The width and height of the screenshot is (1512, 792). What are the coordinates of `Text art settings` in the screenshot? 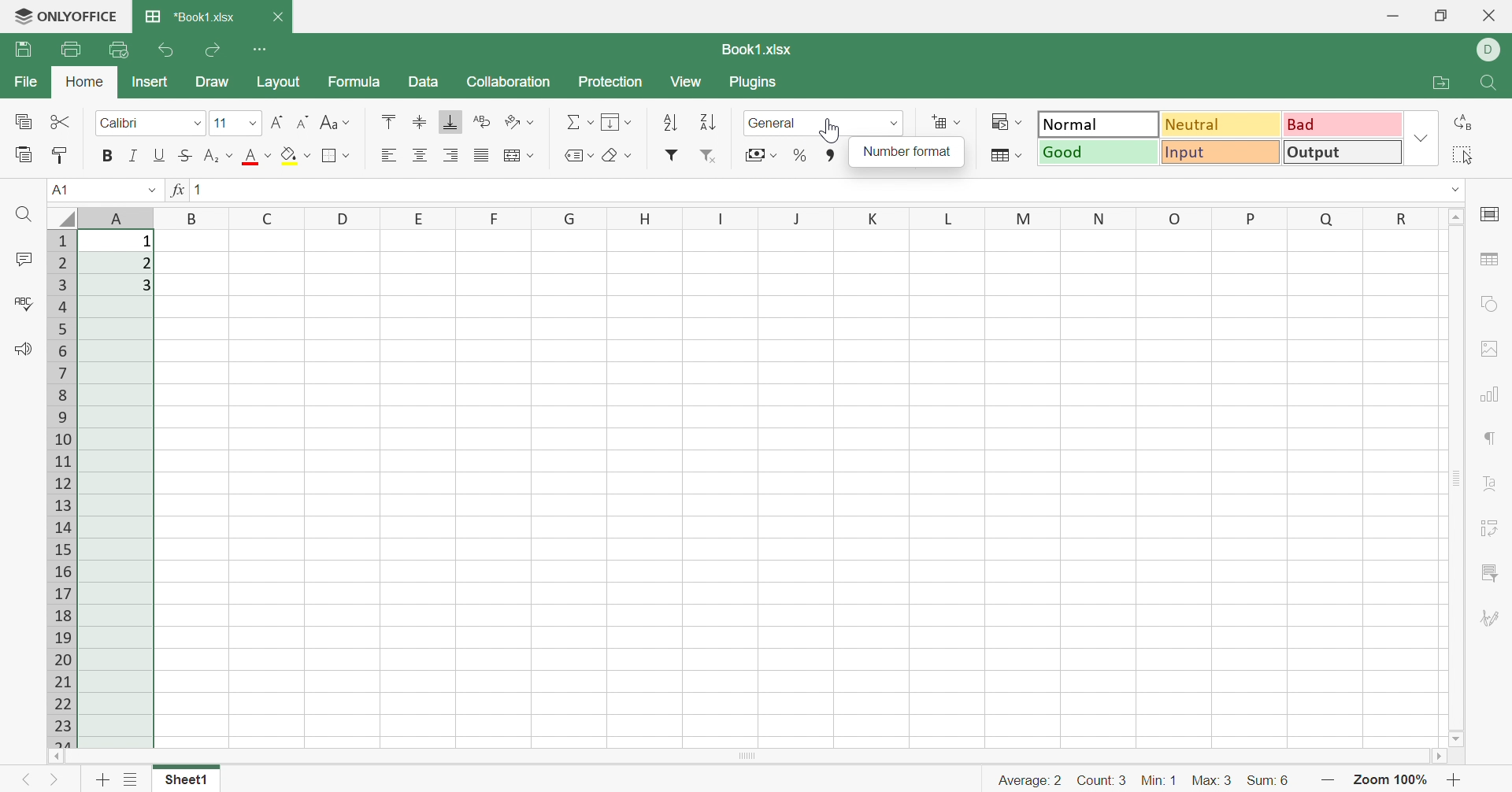 It's located at (1489, 483).